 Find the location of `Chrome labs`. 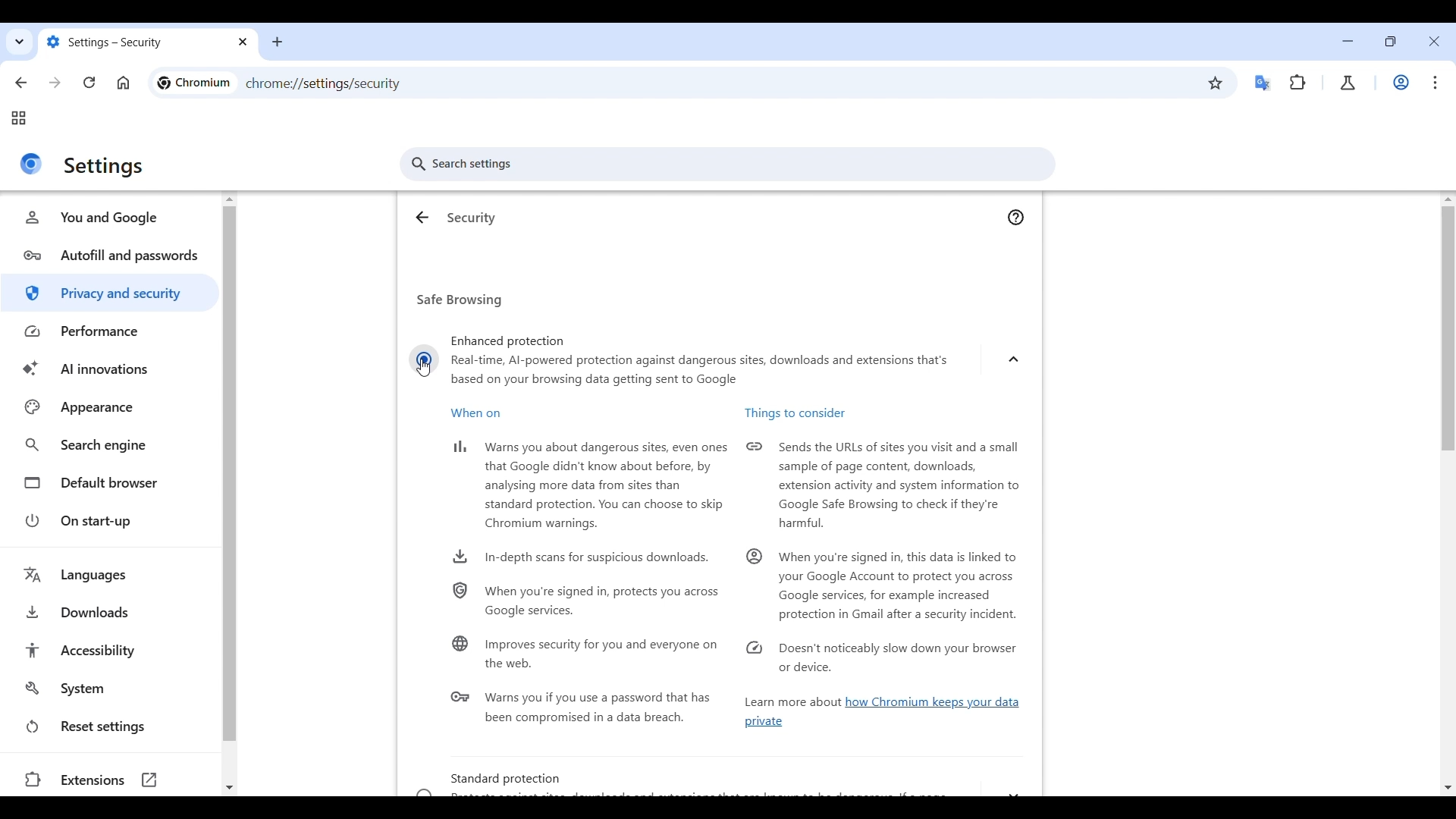

Chrome labs is located at coordinates (1348, 83).